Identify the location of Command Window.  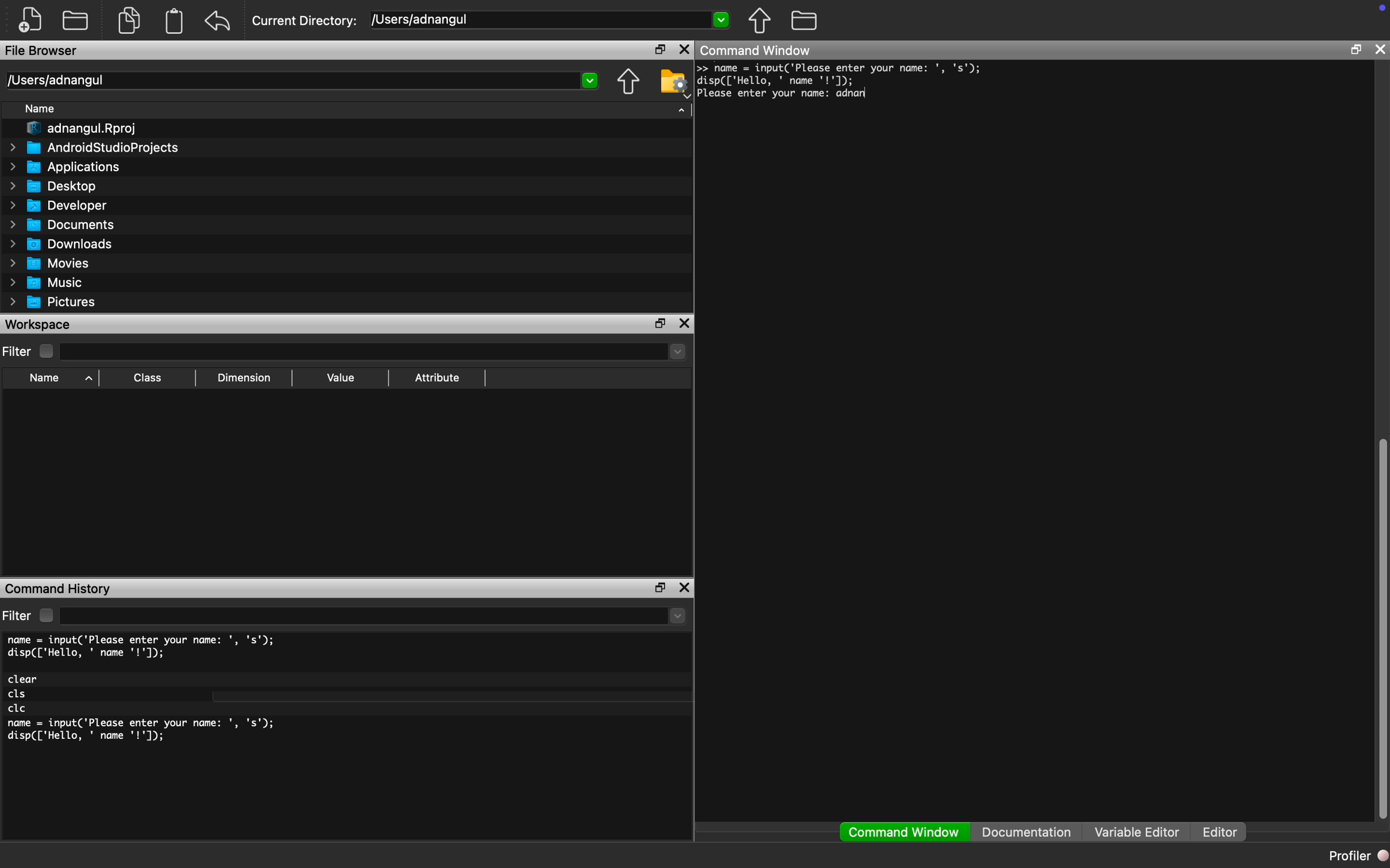
(757, 49).